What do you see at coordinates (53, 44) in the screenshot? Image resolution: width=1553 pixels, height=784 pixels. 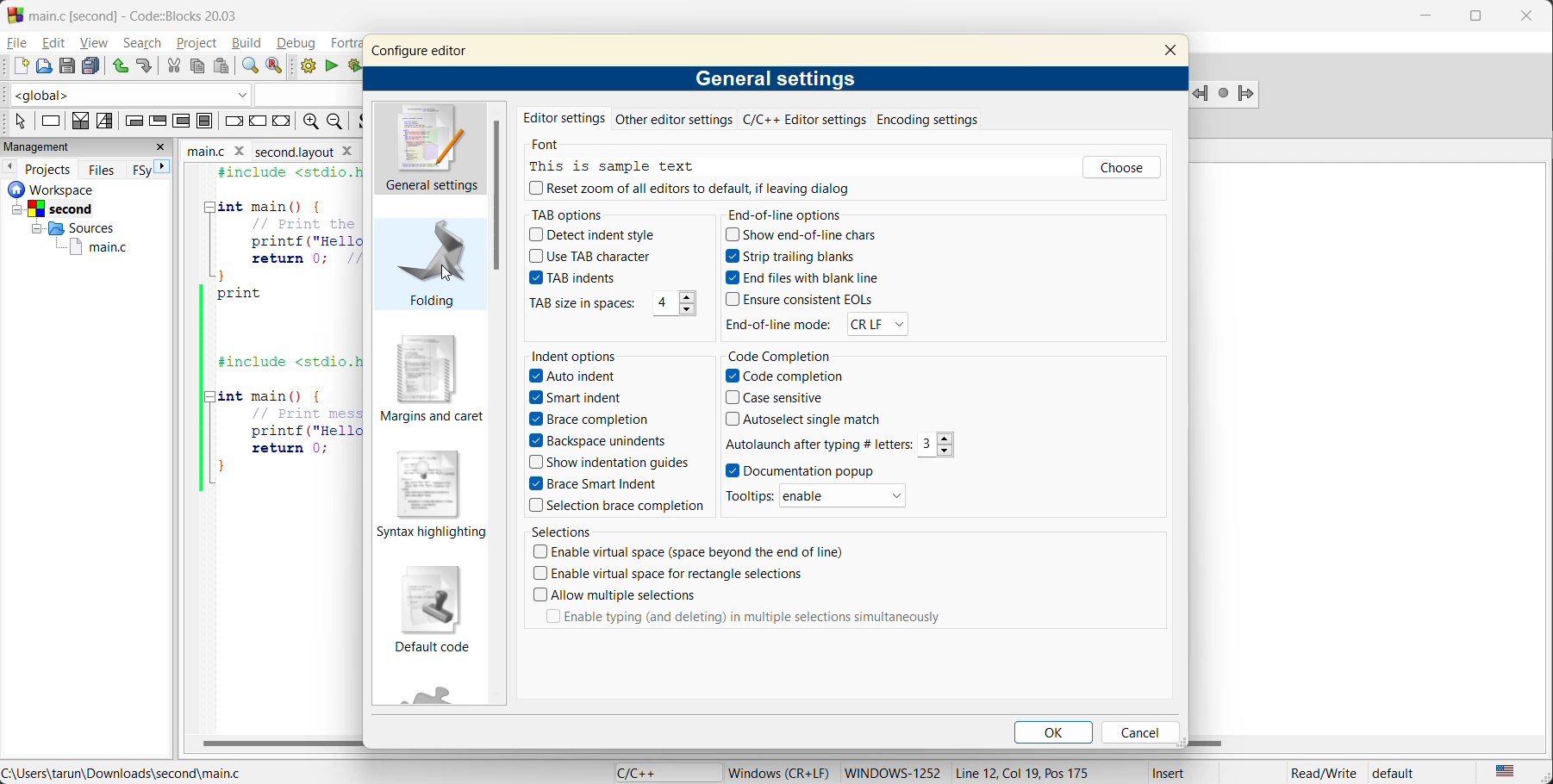 I see `edit` at bounding box center [53, 44].